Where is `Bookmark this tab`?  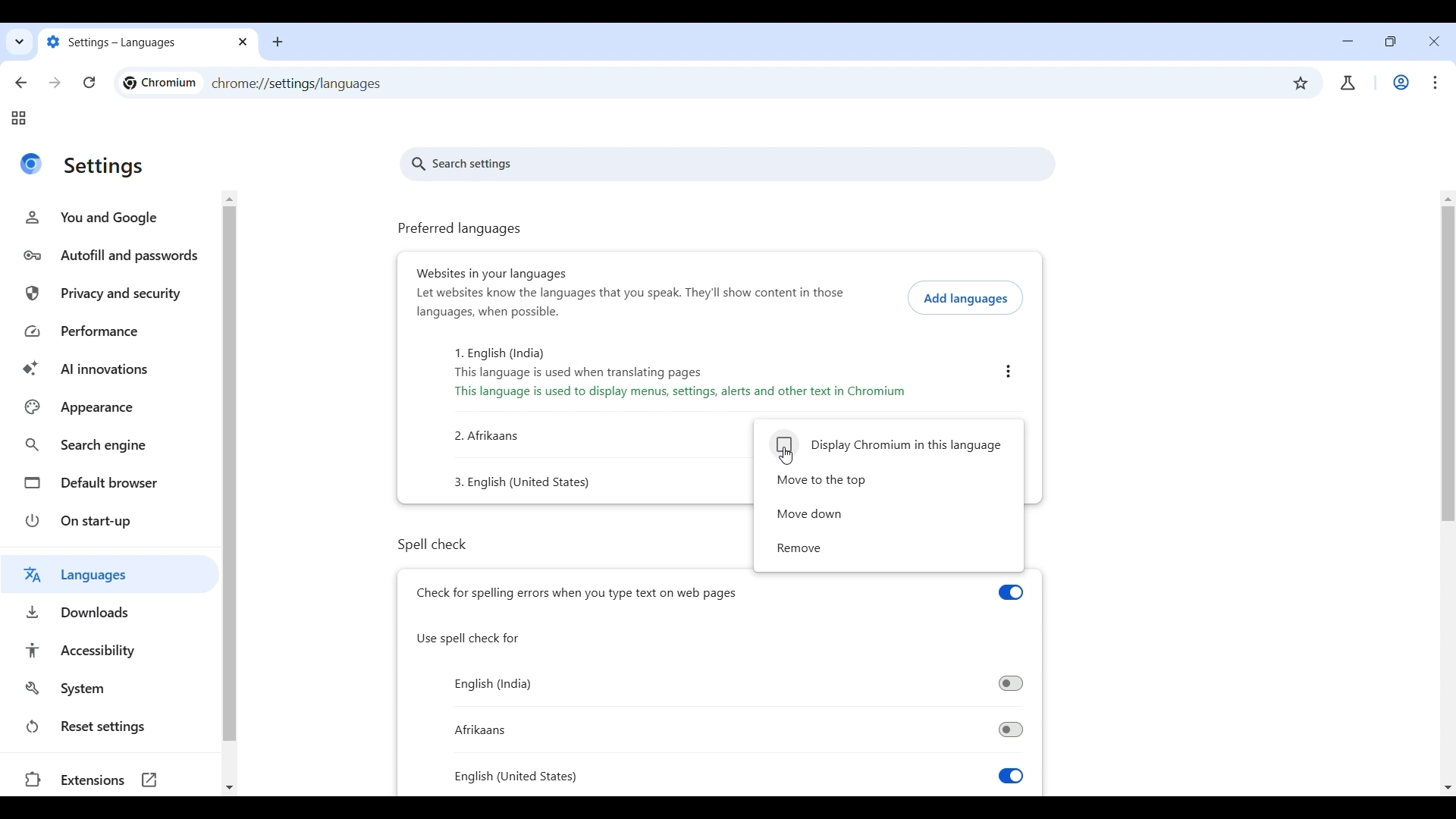
Bookmark this tab is located at coordinates (1301, 83).